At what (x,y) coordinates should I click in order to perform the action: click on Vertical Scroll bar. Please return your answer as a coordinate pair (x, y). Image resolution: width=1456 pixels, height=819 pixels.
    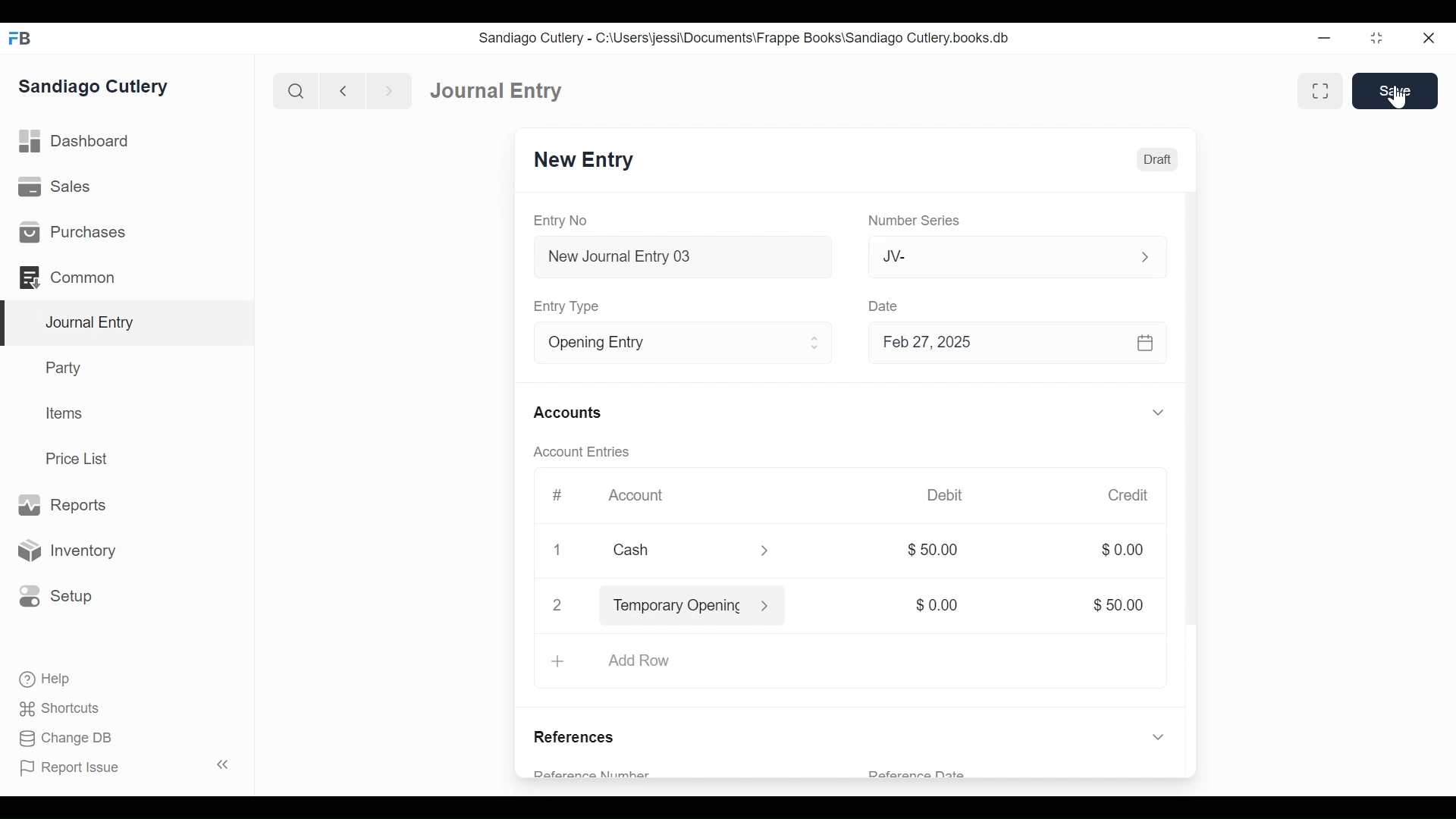
    Looking at the image, I should click on (1193, 439).